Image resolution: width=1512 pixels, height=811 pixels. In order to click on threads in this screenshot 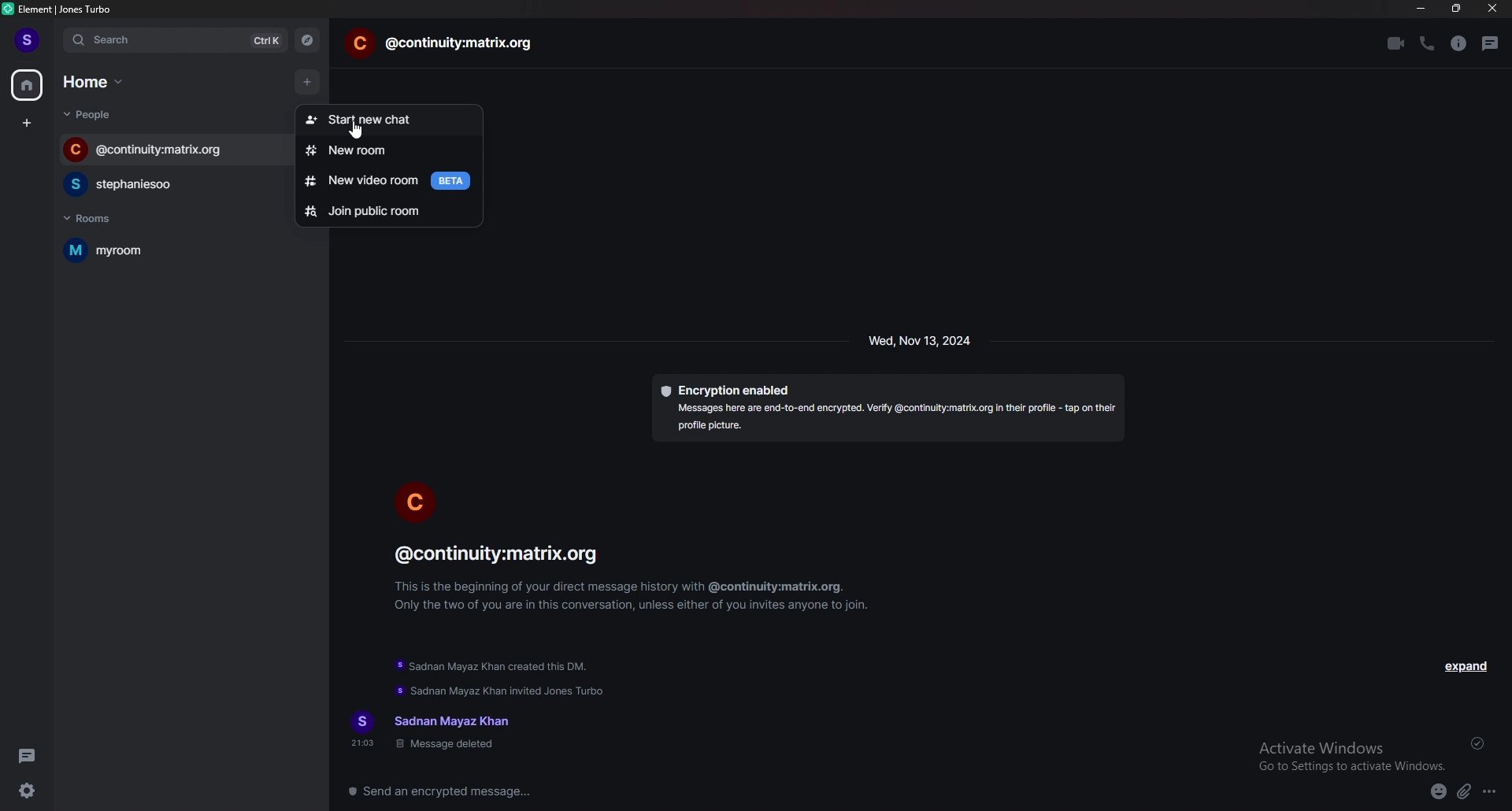, I will do `click(28, 756)`.